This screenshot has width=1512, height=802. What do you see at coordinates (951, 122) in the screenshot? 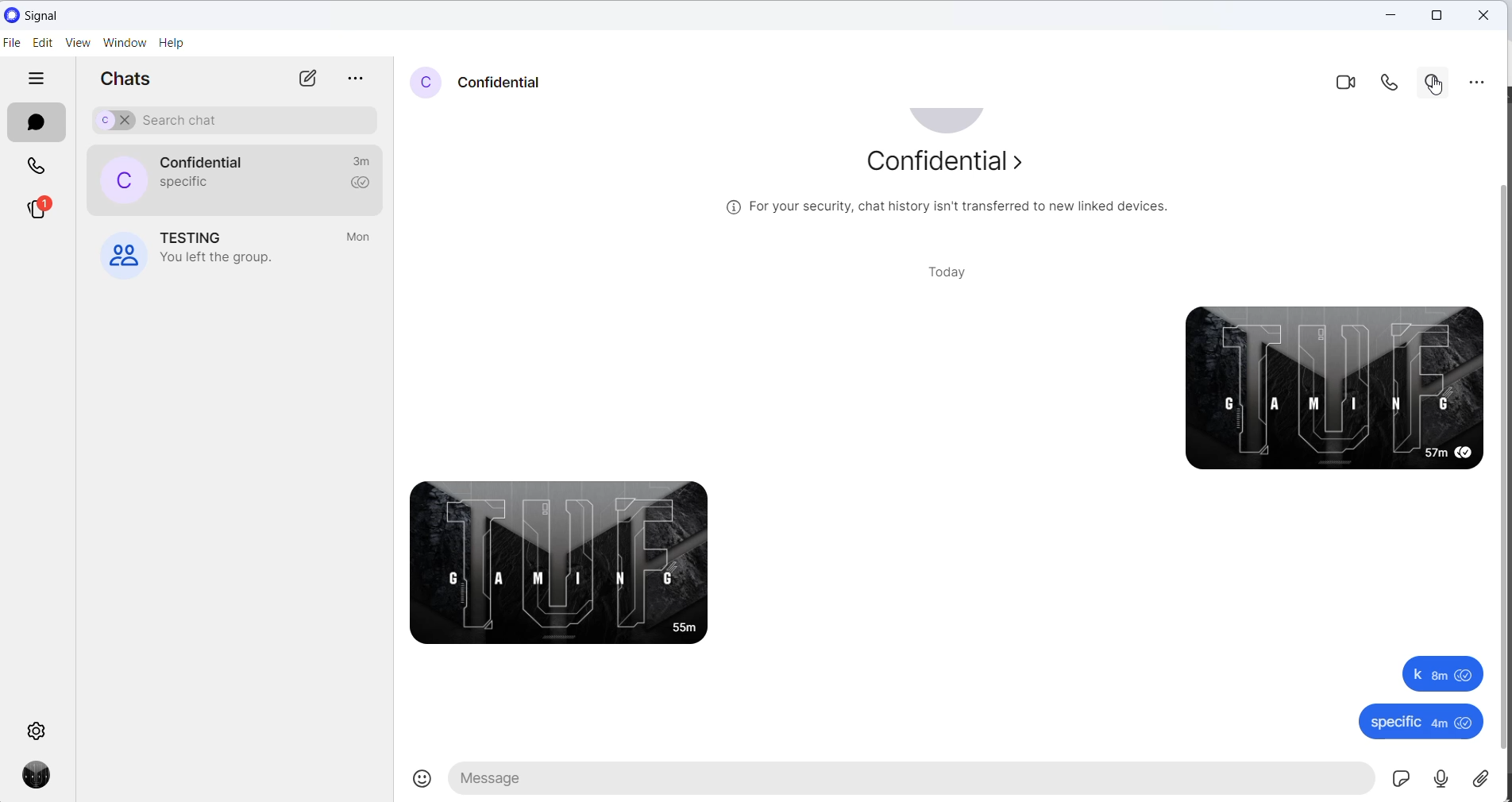
I see `profile picture` at bounding box center [951, 122].